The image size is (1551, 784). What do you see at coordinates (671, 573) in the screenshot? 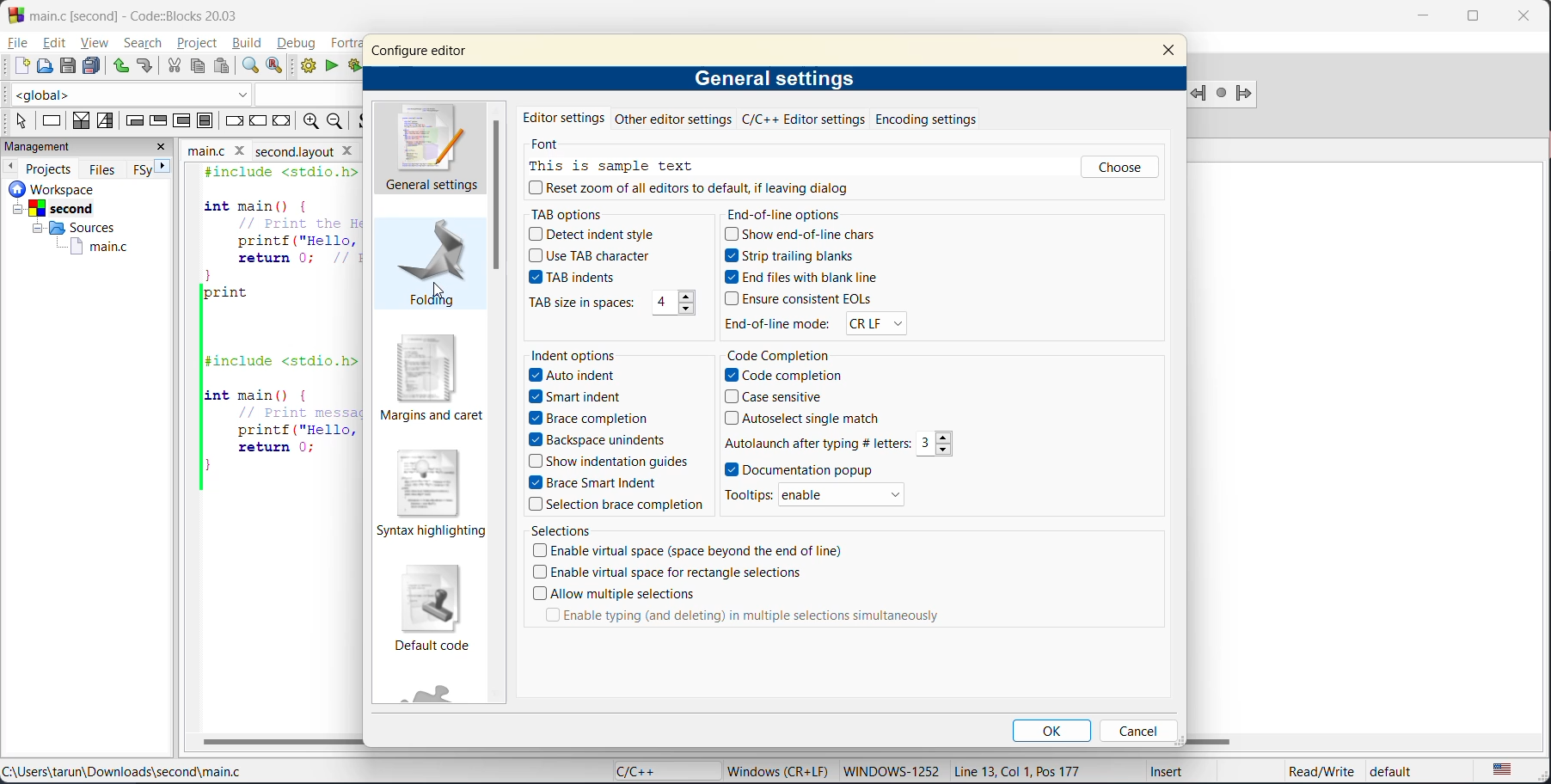
I see `Enable virtual space for rectangle selection` at bounding box center [671, 573].